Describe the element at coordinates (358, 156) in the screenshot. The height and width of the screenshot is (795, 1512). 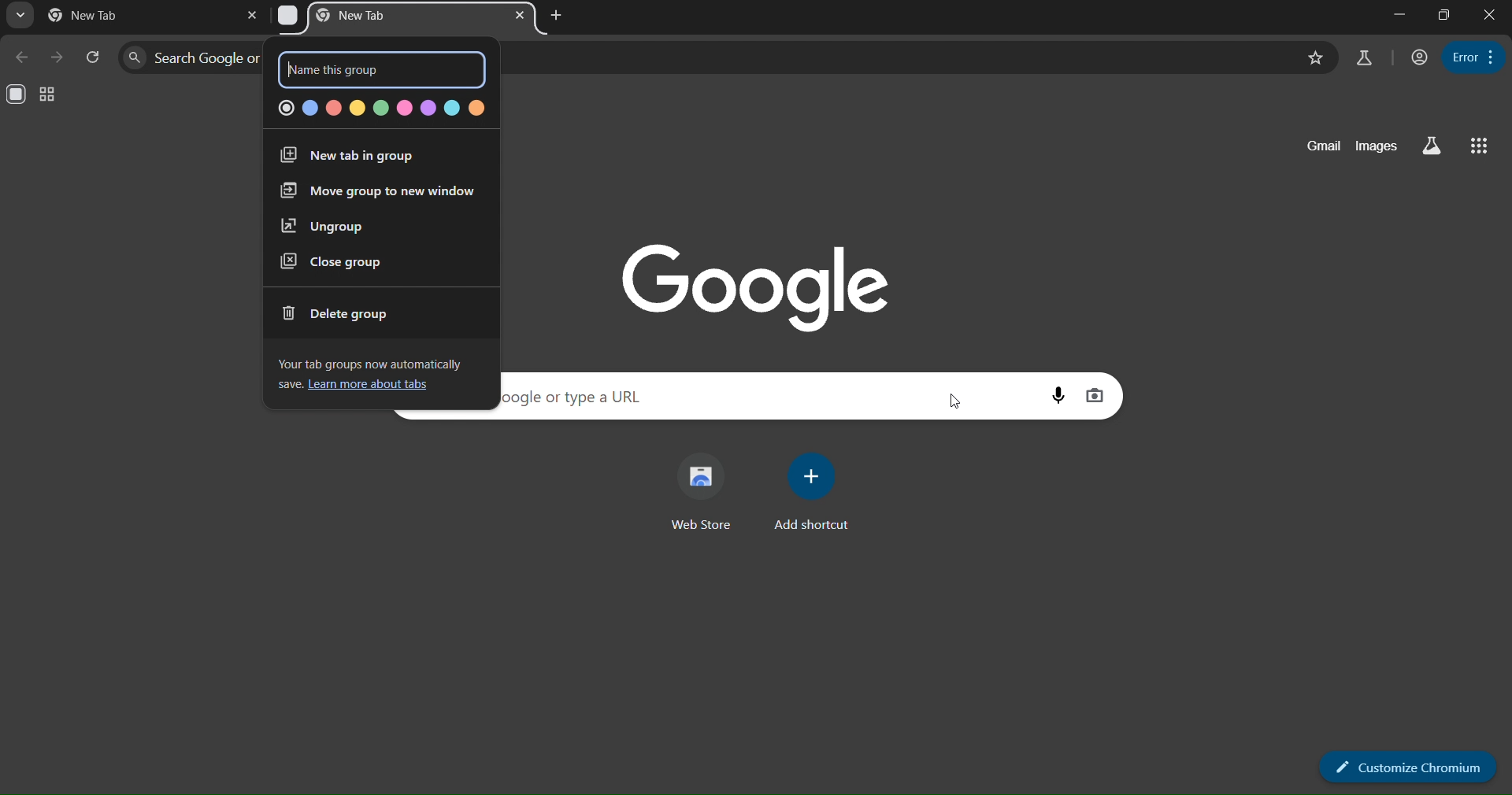
I see `new tab in group` at that location.